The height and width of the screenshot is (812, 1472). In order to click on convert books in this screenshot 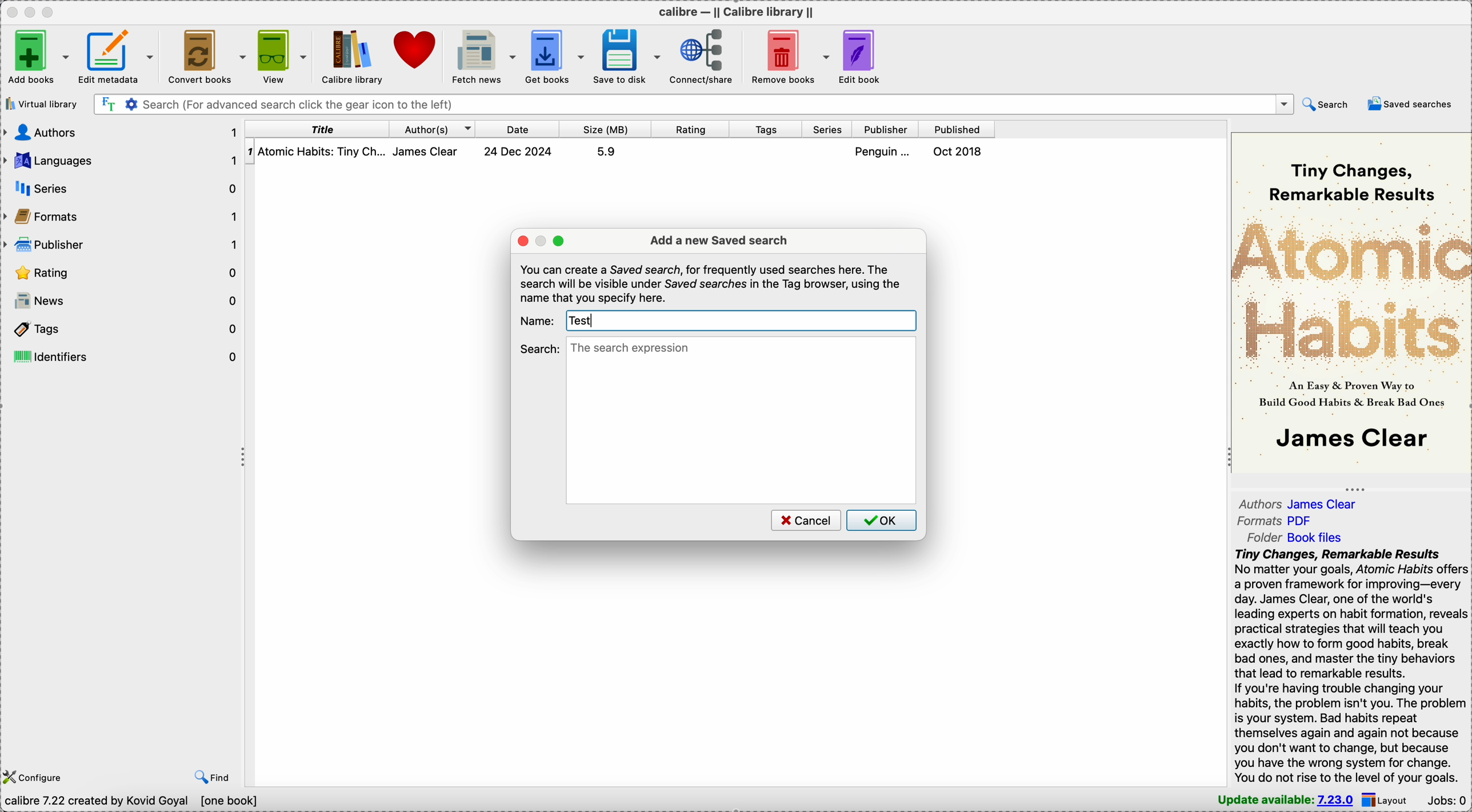, I will do `click(205, 55)`.